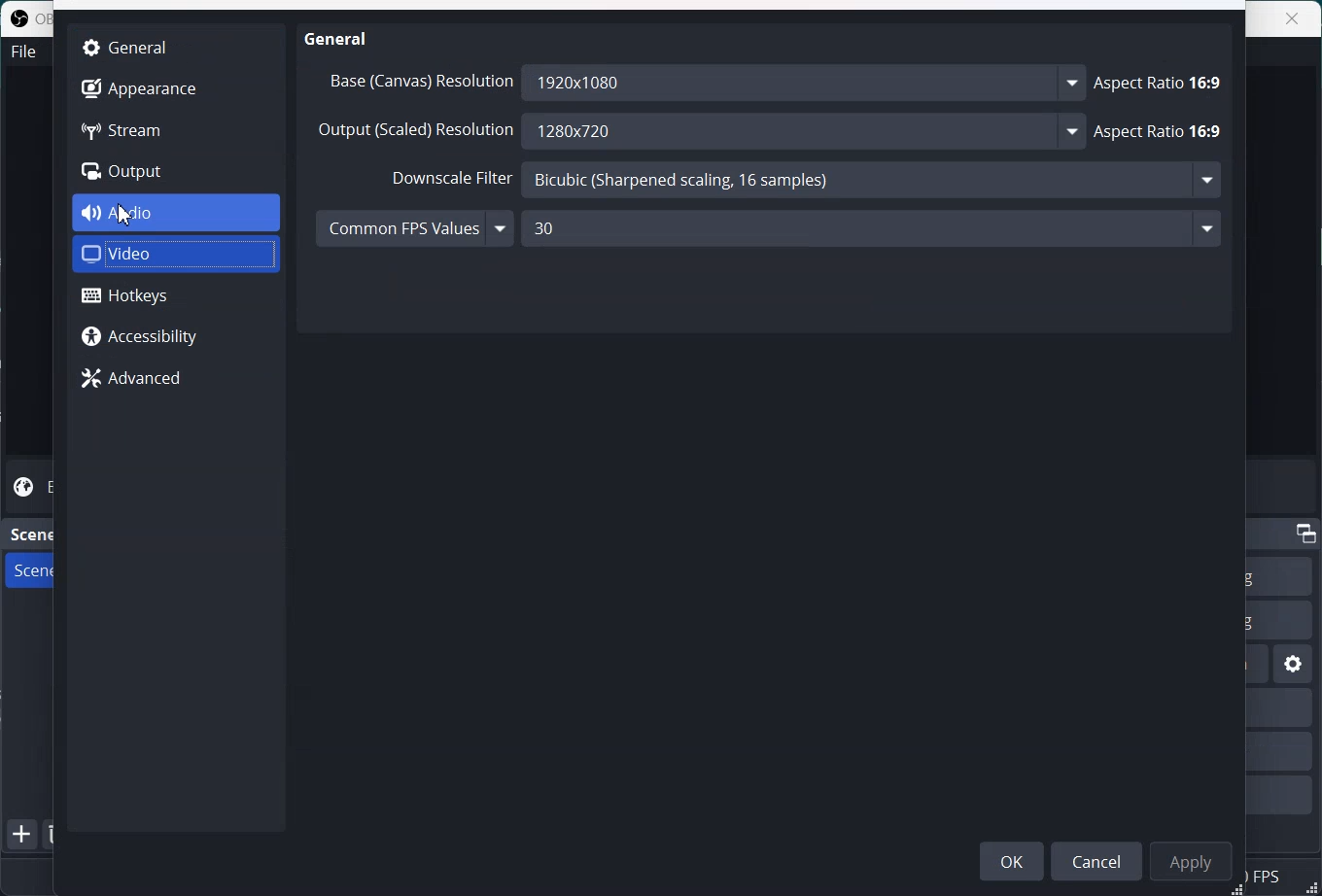 Image resolution: width=1322 pixels, height=896 pixels. I want to click on Stream, so click(138, 129).